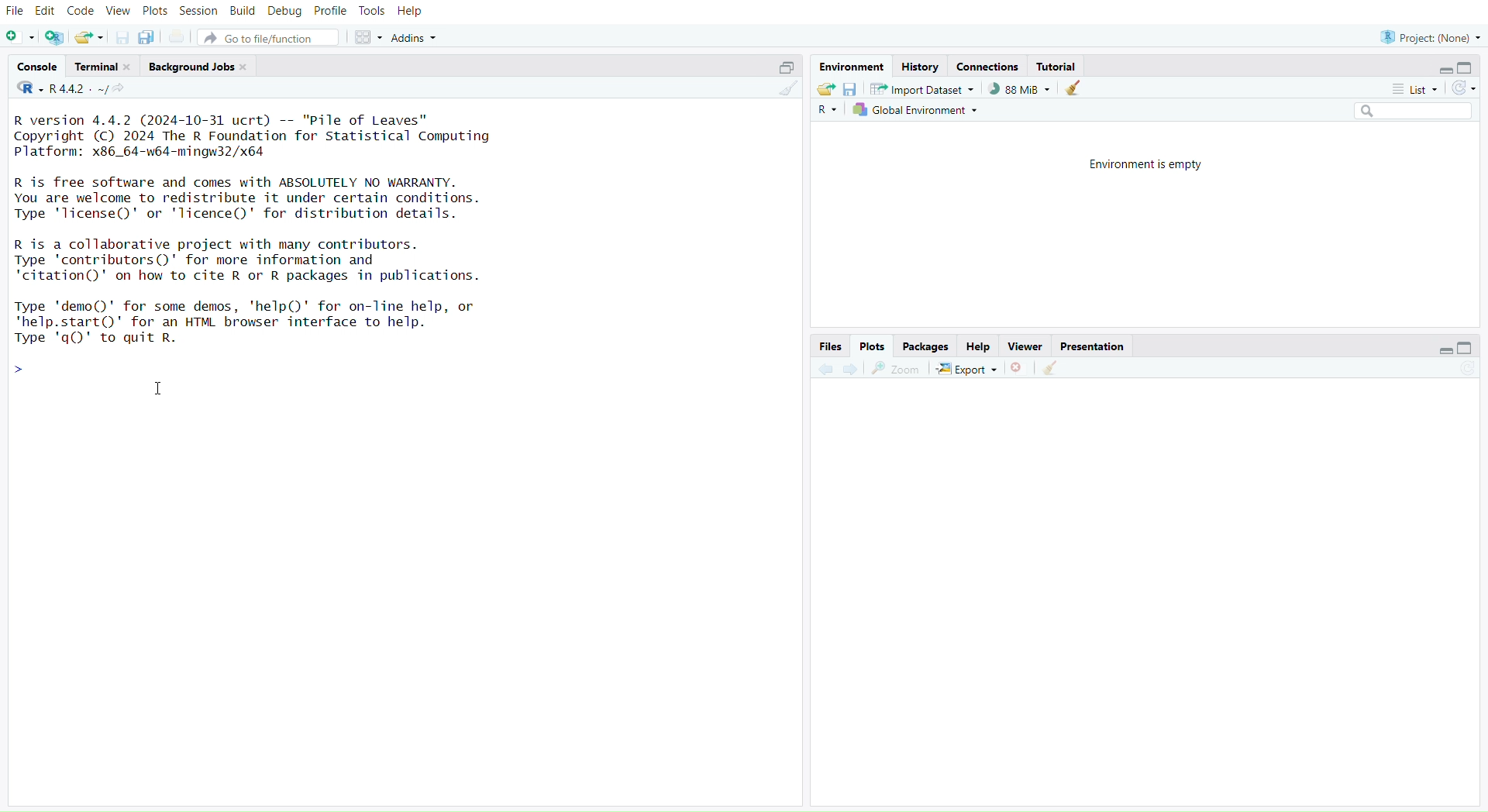 Image resolution: width=1488 pixels, height=812 pixels. I want to click on save all open documents, so click(146, 36).